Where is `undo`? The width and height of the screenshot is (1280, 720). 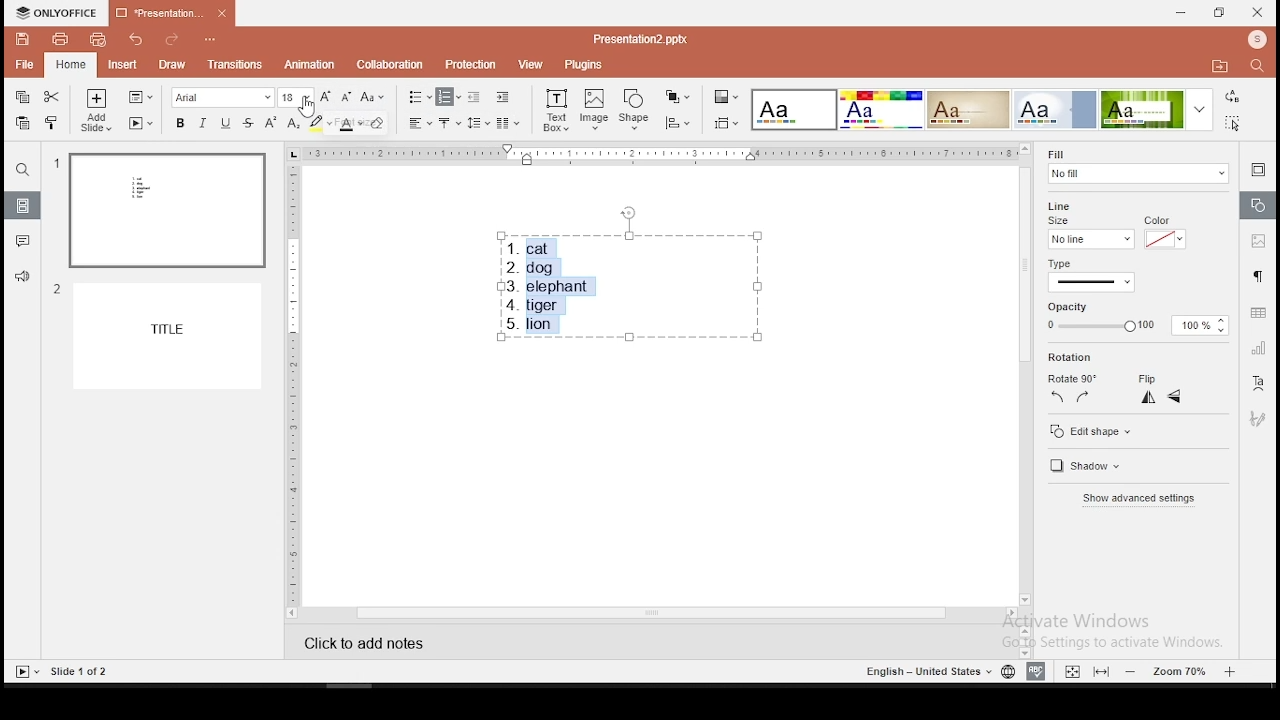
undo is located at coordinates (136, 39).